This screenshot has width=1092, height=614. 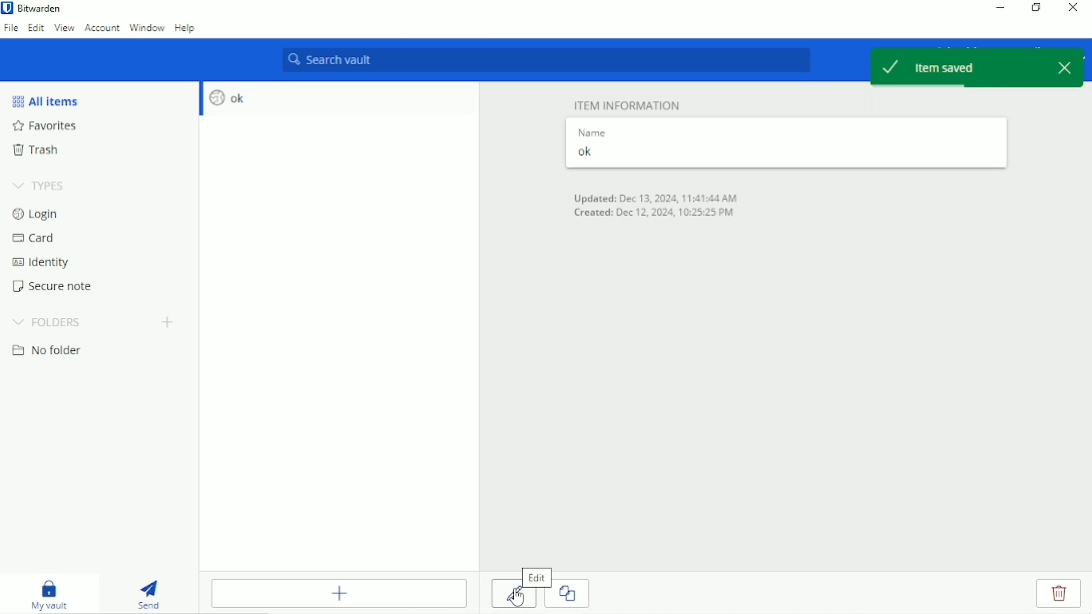 What do you see at coordinates (1067, 67) in the screenshot?
I see `Close notification` at bounding box center [1067, 67].